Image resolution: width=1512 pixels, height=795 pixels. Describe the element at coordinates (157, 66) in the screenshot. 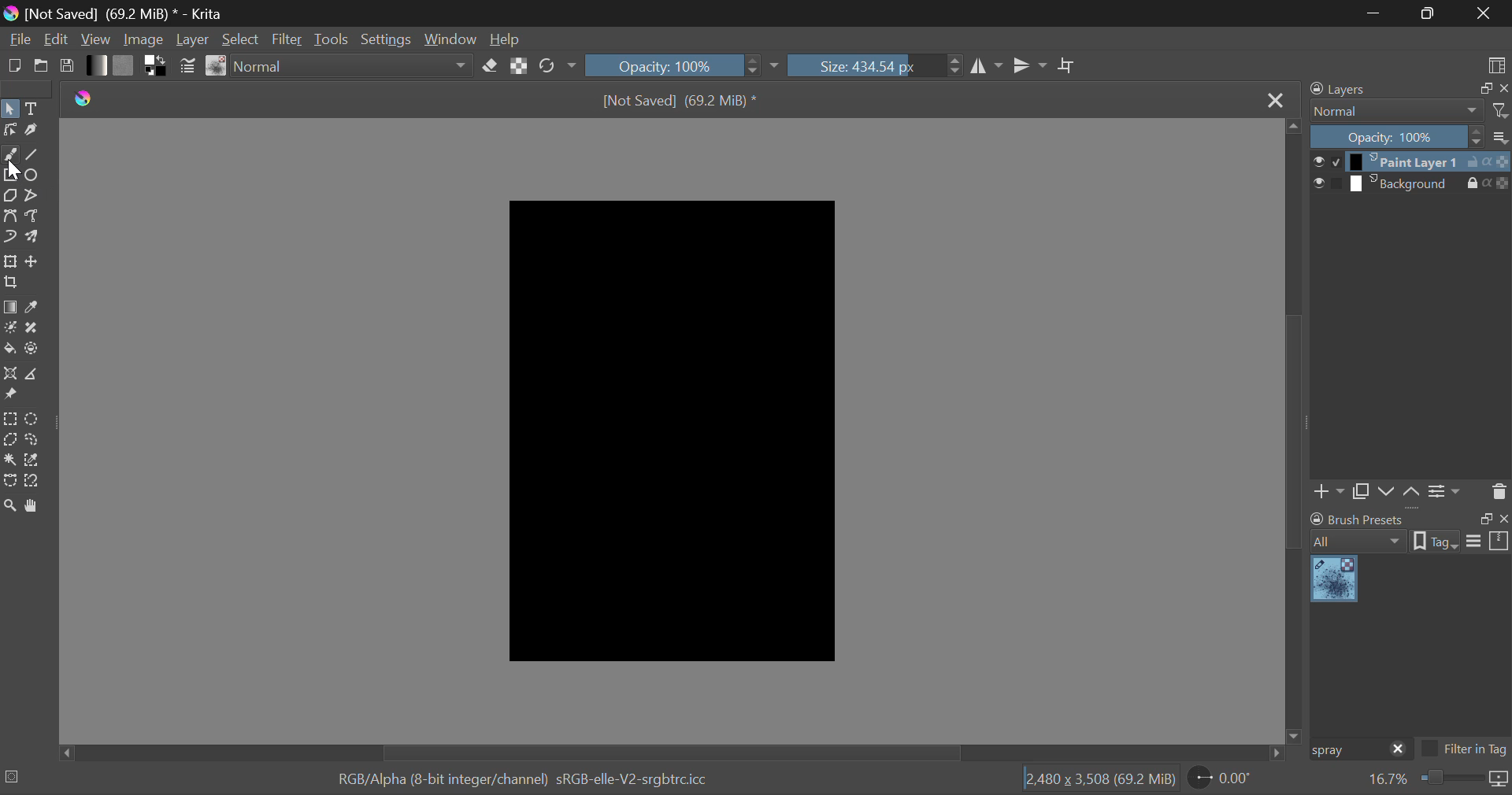

I see `Colors in Use` at that location.